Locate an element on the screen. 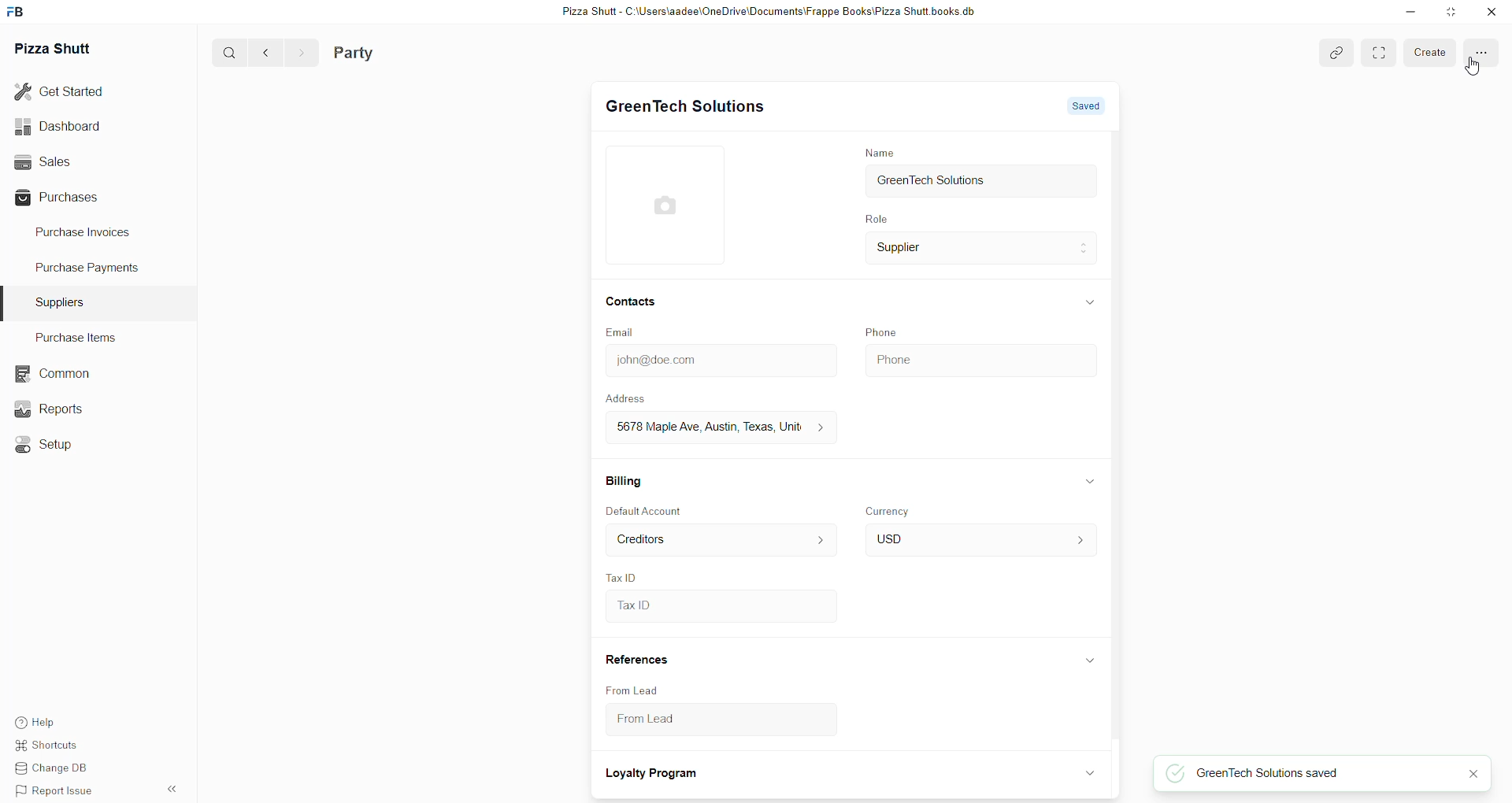  placeholder for image is located at coordinates (670, 205).